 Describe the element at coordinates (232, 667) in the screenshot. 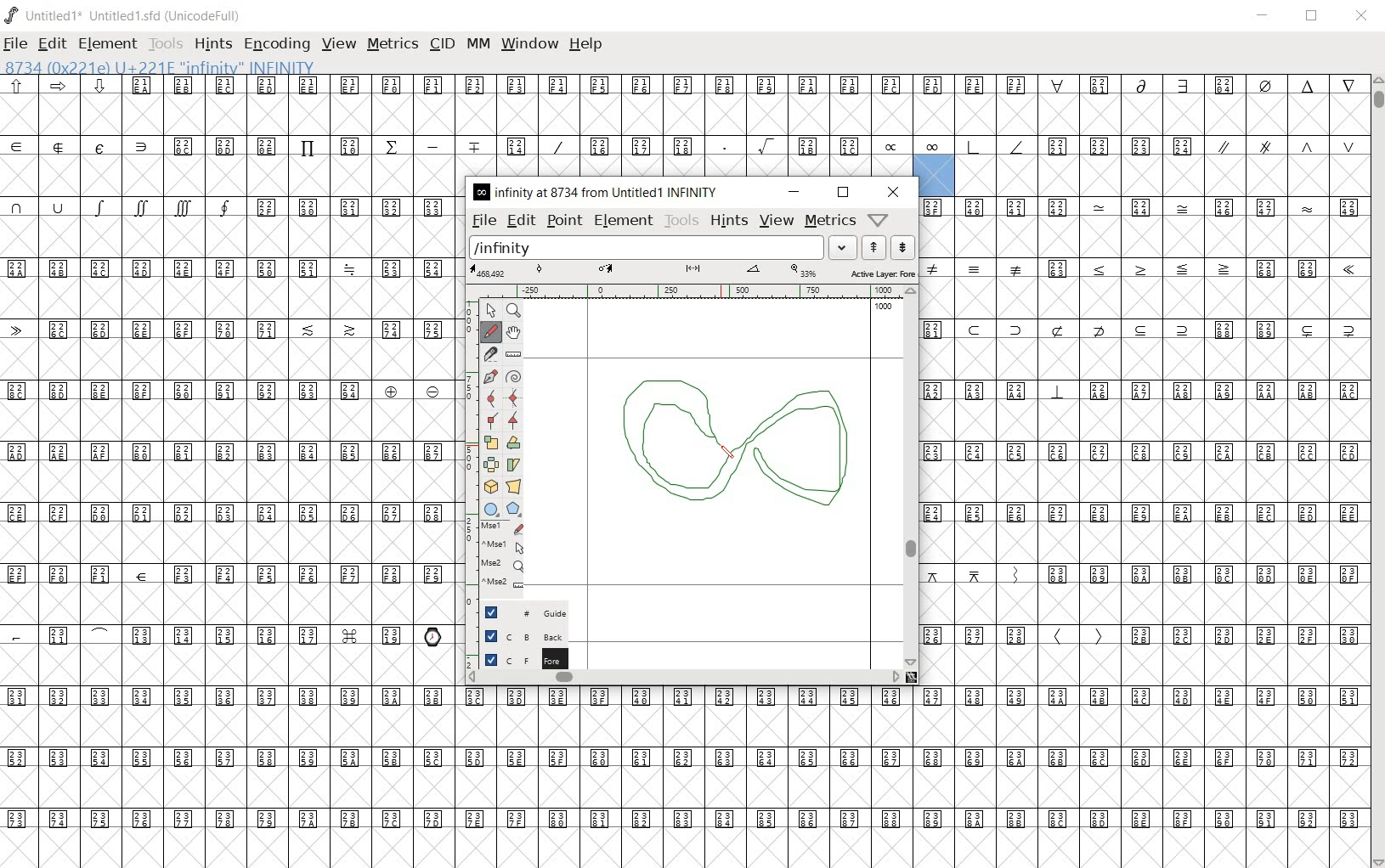

I see `empty glyph slots` at that location.